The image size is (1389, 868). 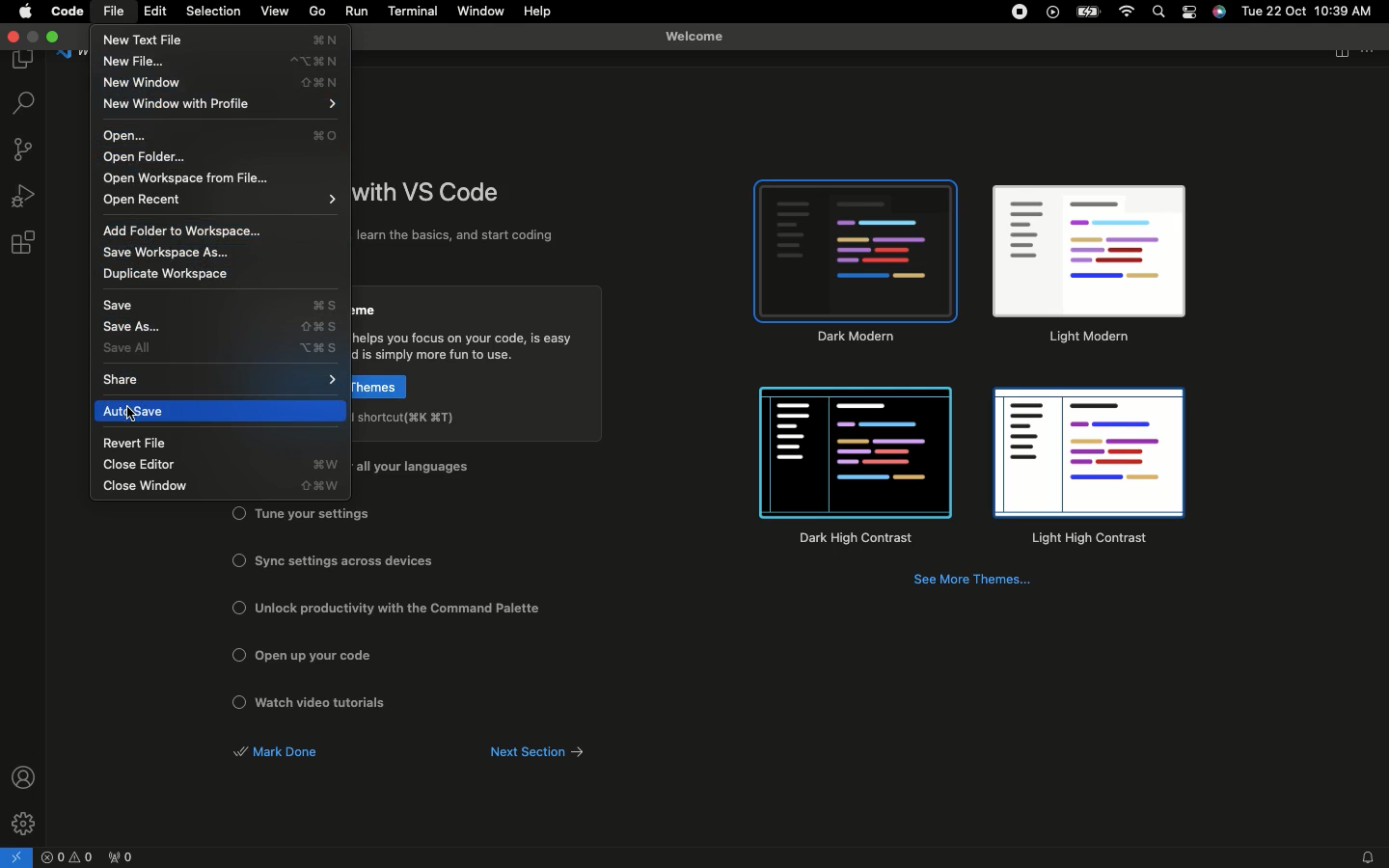 I want to click on New window with profile, so click(x=220, y=103).